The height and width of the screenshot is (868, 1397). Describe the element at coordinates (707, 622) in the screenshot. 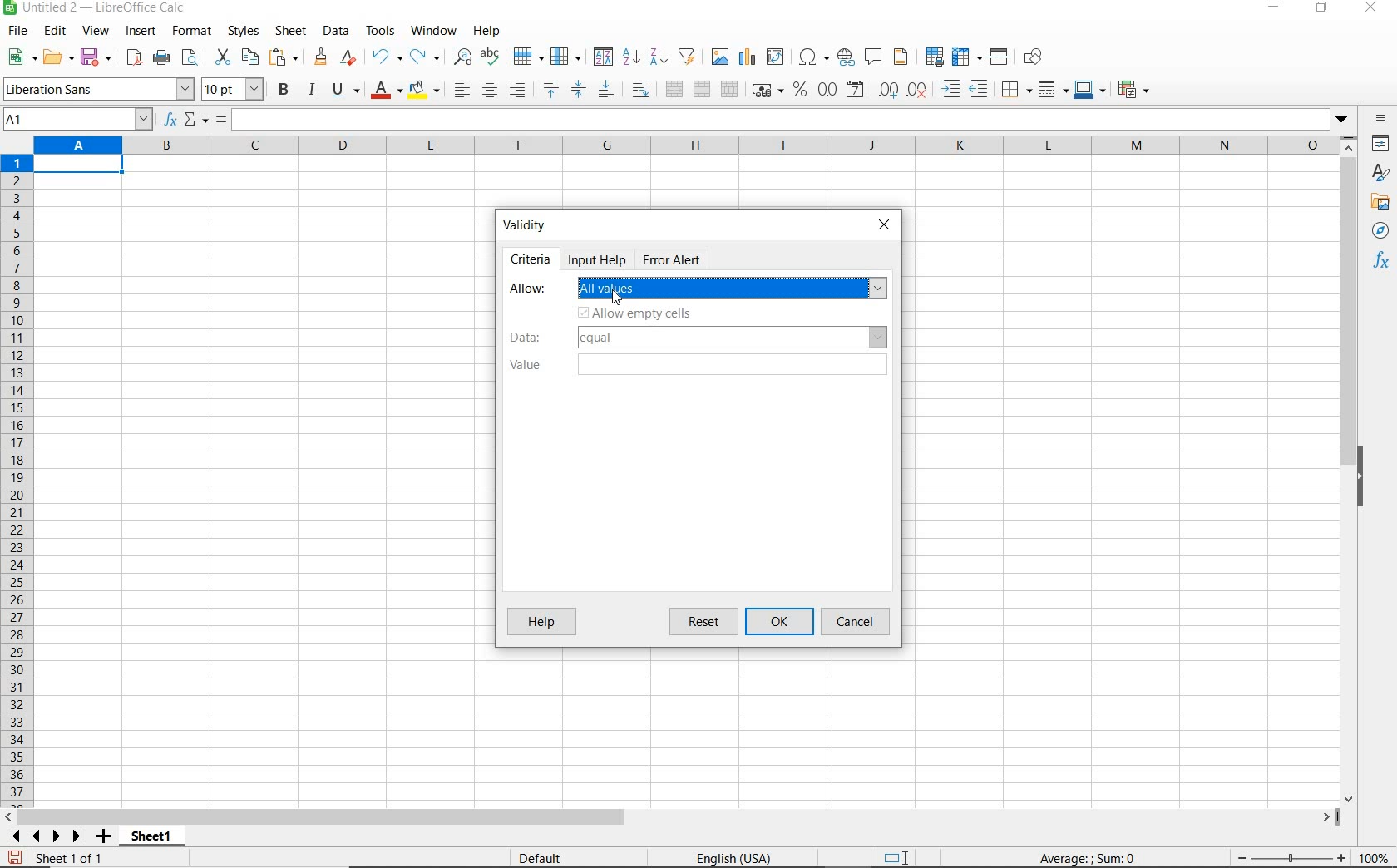

I see `reset` at that location.